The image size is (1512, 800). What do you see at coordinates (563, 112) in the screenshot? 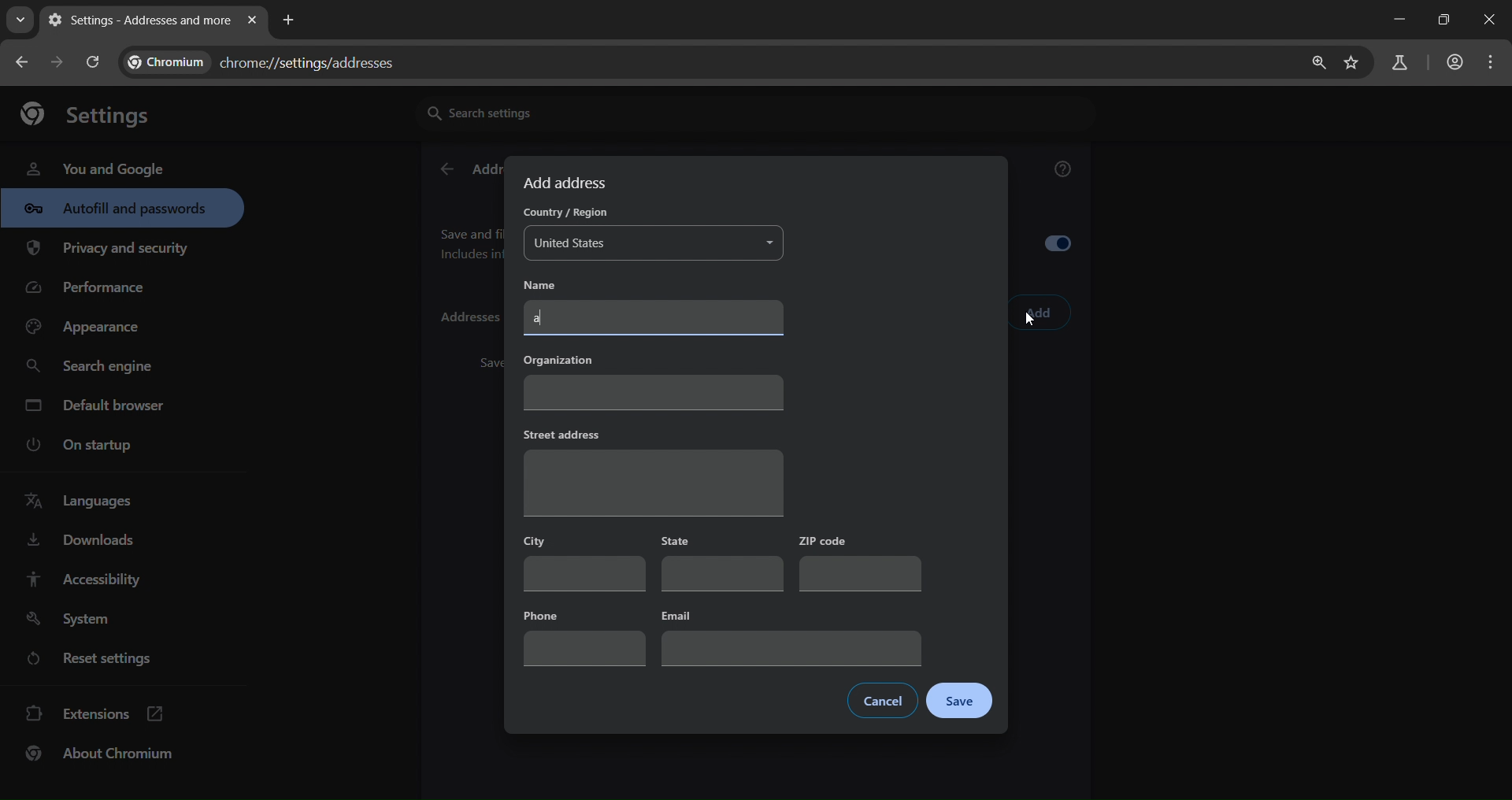
I see `search settings` at bounding box center [563, 112].